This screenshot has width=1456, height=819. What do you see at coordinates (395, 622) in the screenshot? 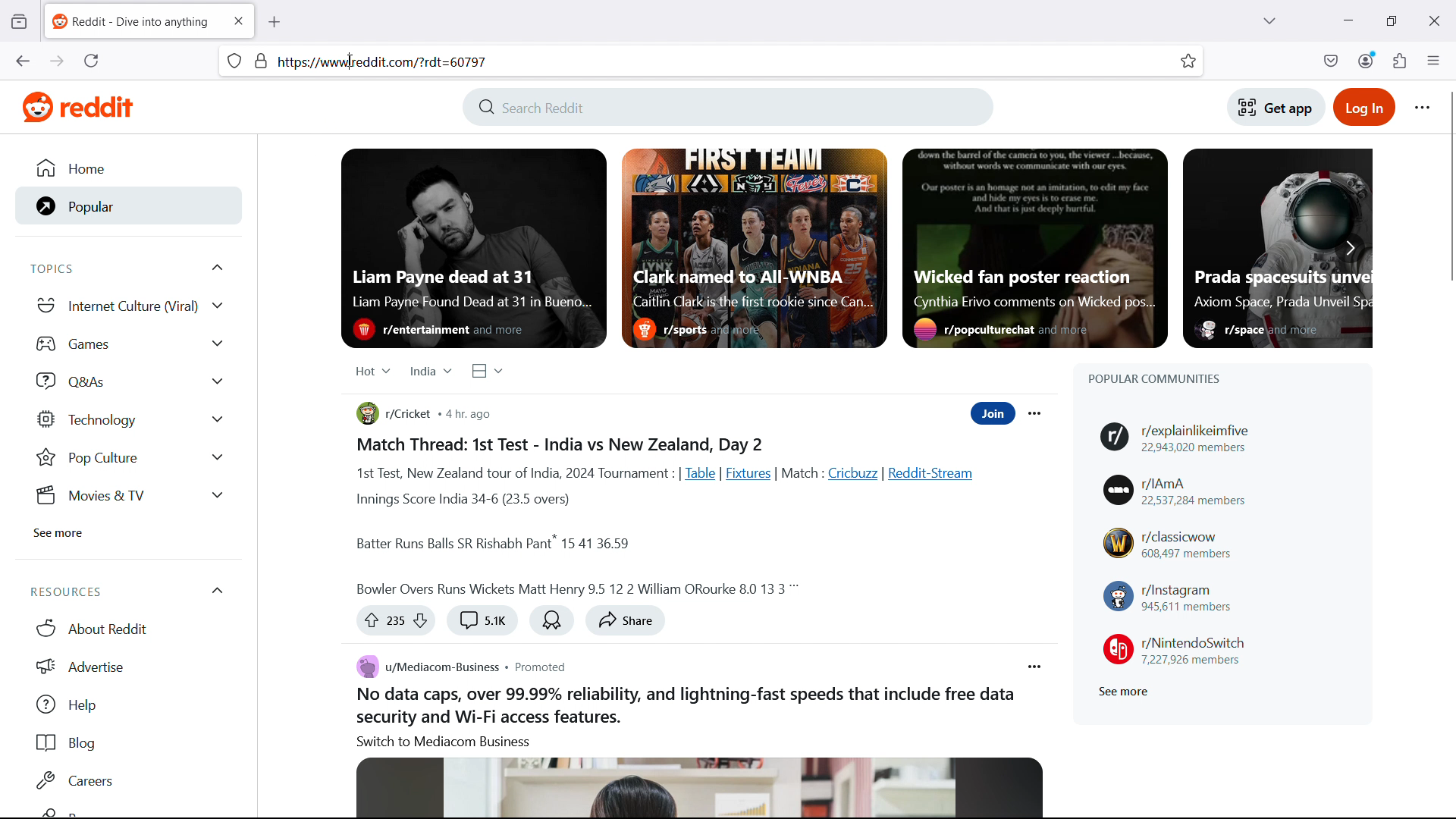
I see `Up vote or down vote` at bounding box center [395, 622].